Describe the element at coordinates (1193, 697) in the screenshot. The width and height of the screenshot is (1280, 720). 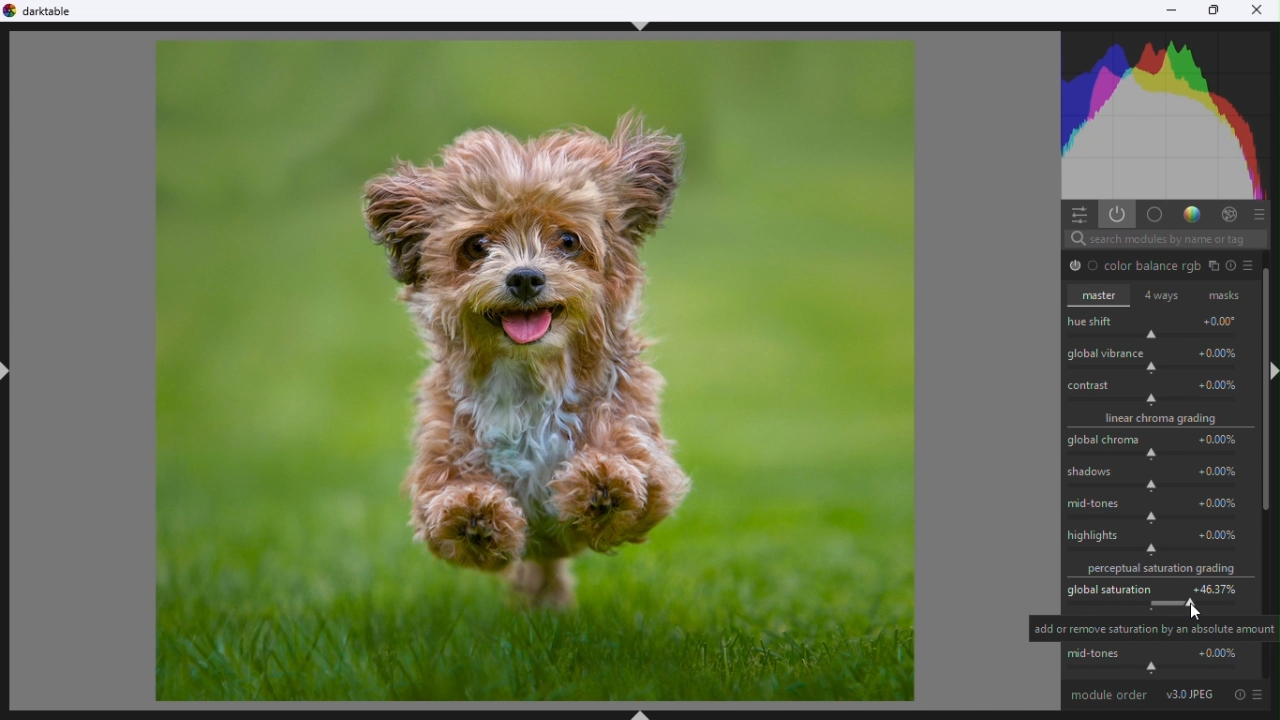
I see `JPEG` at that location.